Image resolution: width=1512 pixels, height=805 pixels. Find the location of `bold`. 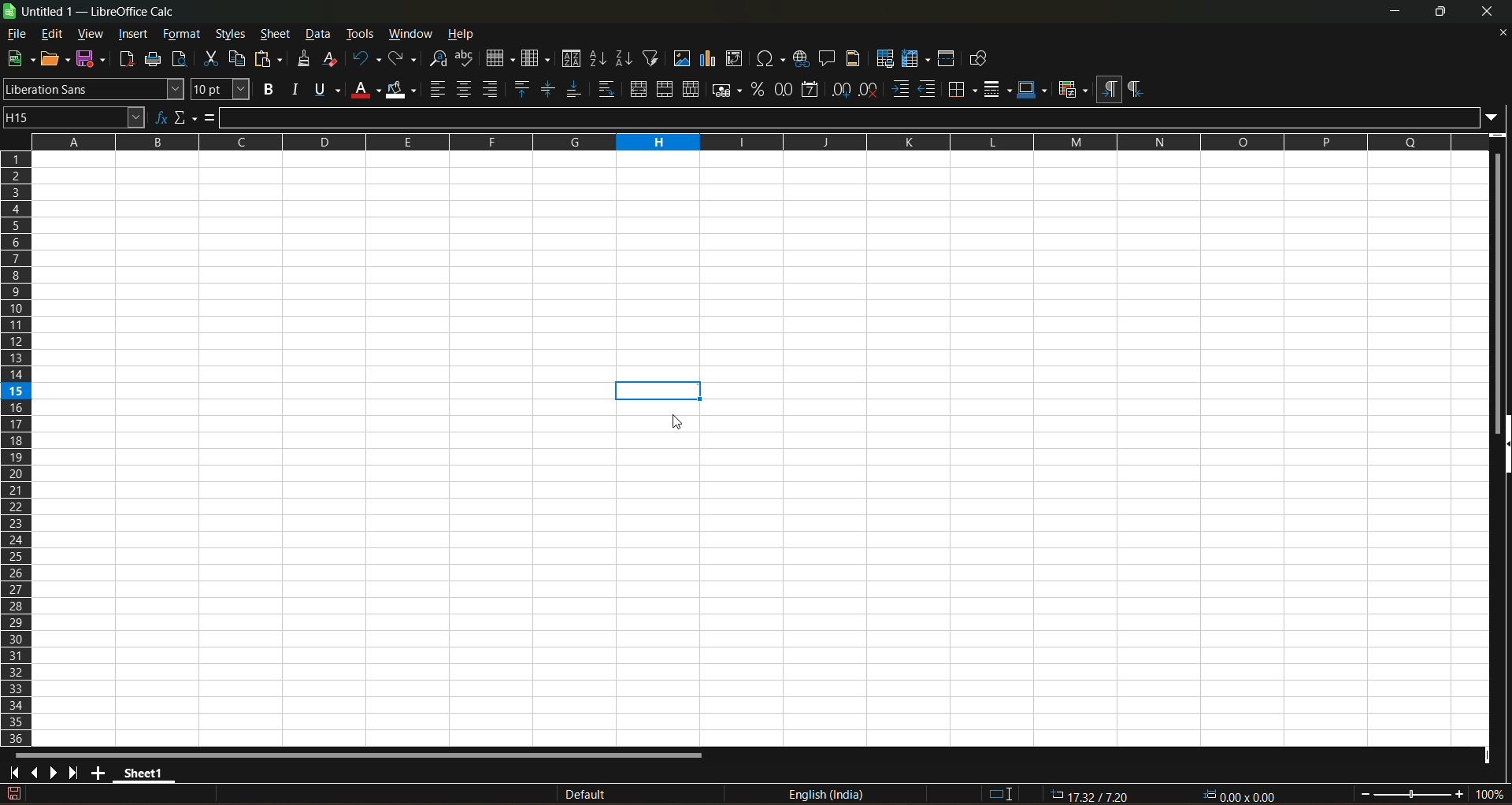

bold is located at coordinates (269, 91).